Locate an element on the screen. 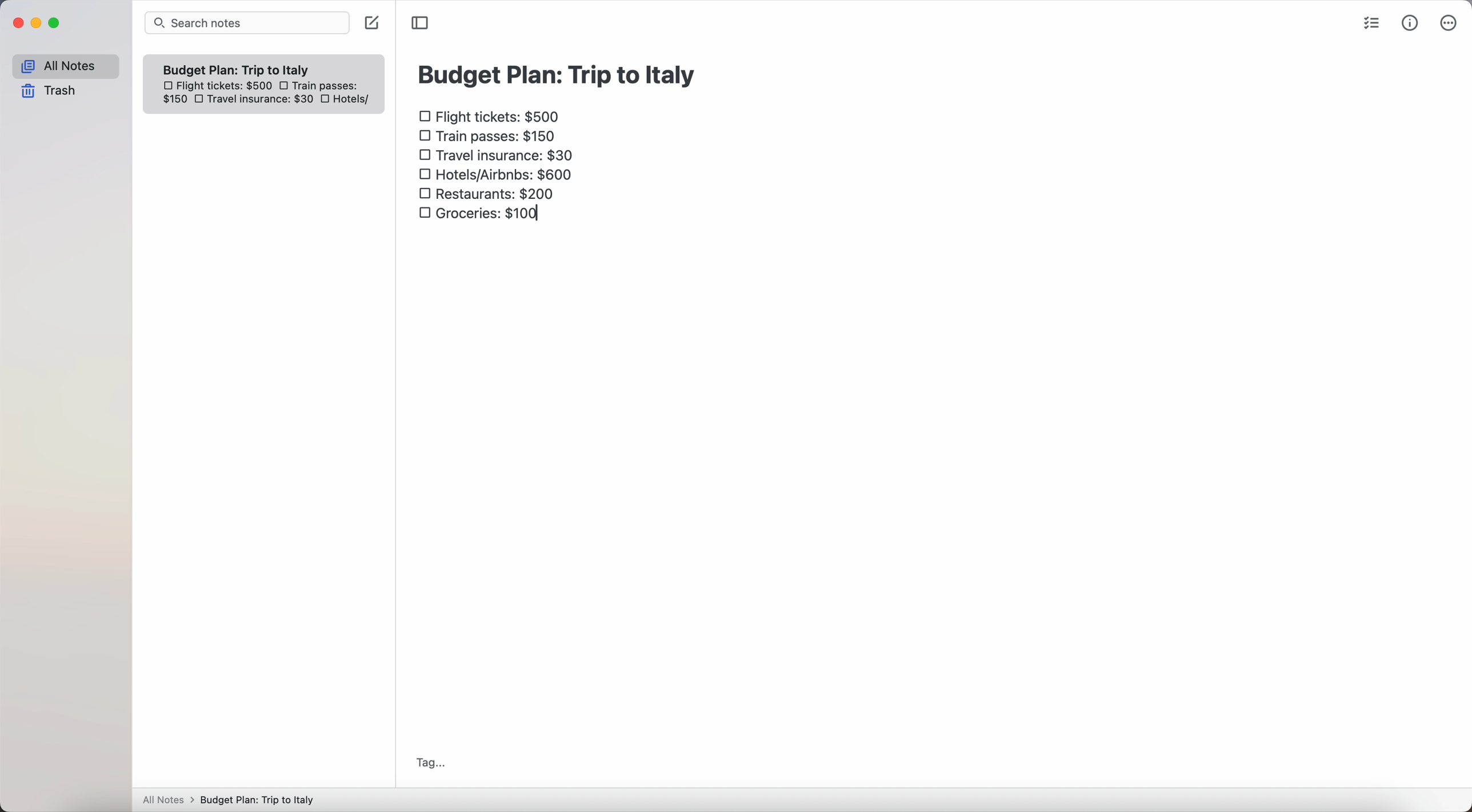 Image resolution: width=1472 pixels, height=812 pixels. checkbox is located at coordinates (200, 101).